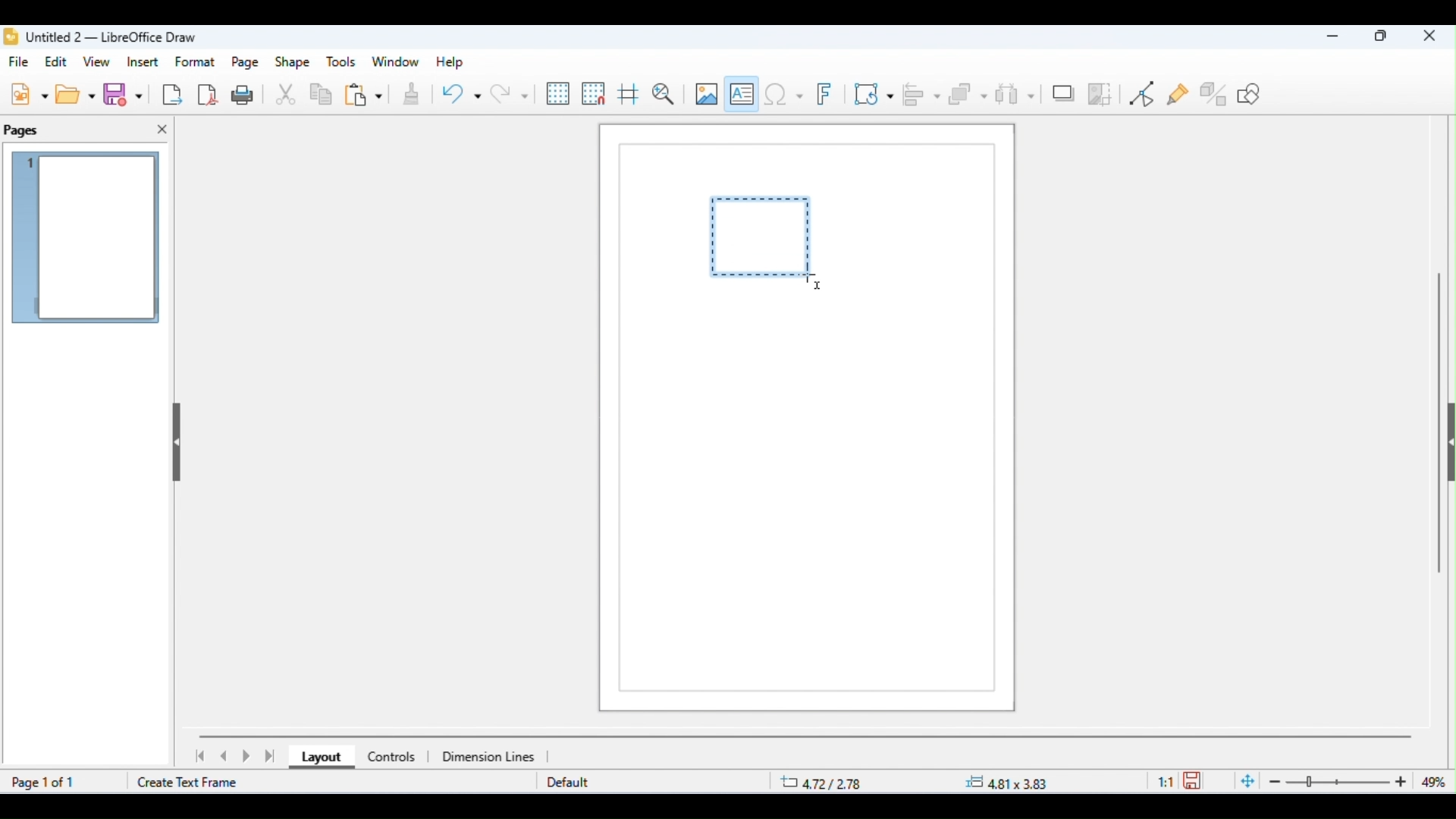  Describe the element at coordinates (126, 95) in the screenshot. I see `save` at that location.